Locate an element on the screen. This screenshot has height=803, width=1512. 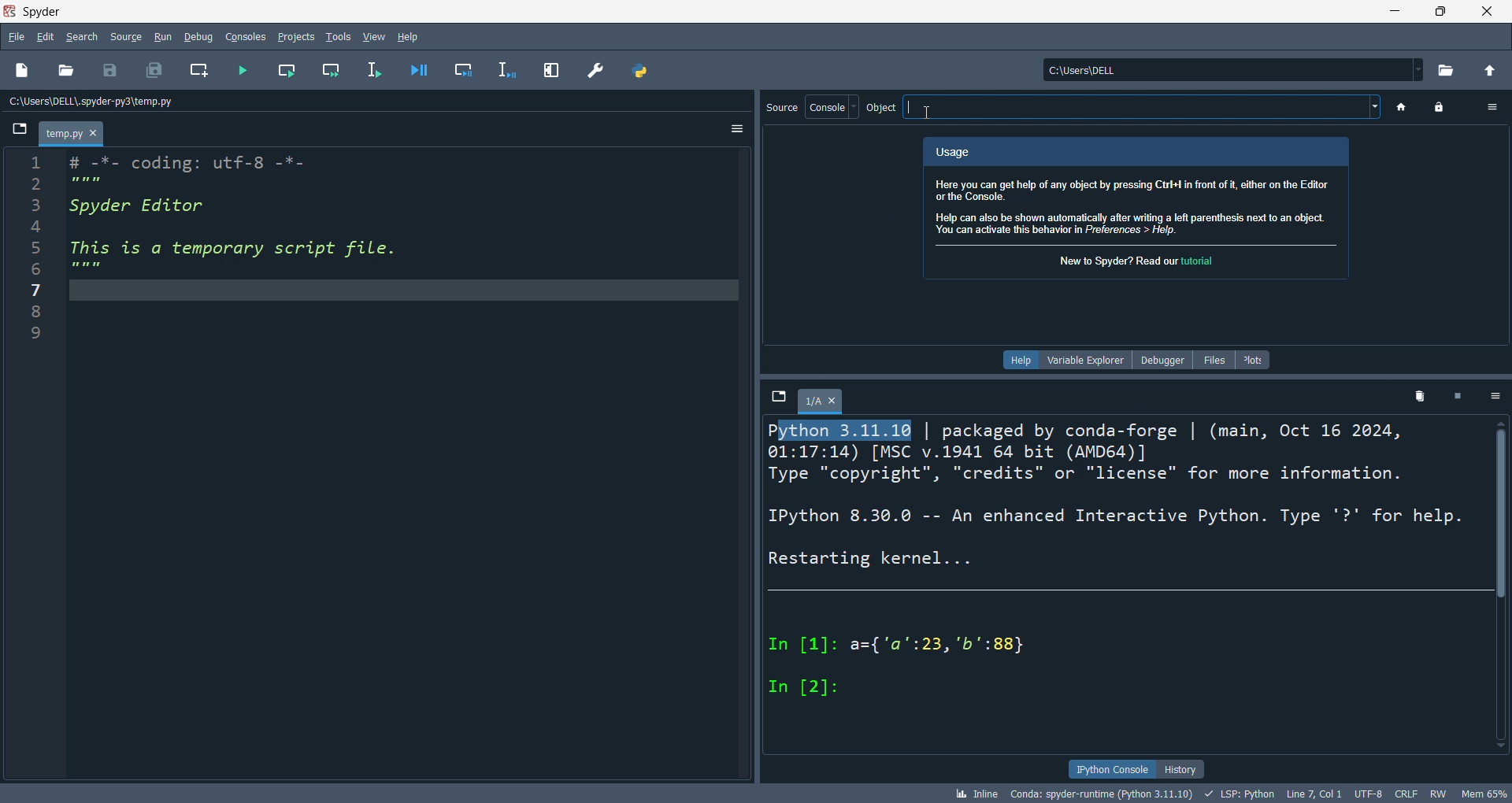
conda: spyder-runtime (Python 3.11.10) is located at coordinates (1105, 794).